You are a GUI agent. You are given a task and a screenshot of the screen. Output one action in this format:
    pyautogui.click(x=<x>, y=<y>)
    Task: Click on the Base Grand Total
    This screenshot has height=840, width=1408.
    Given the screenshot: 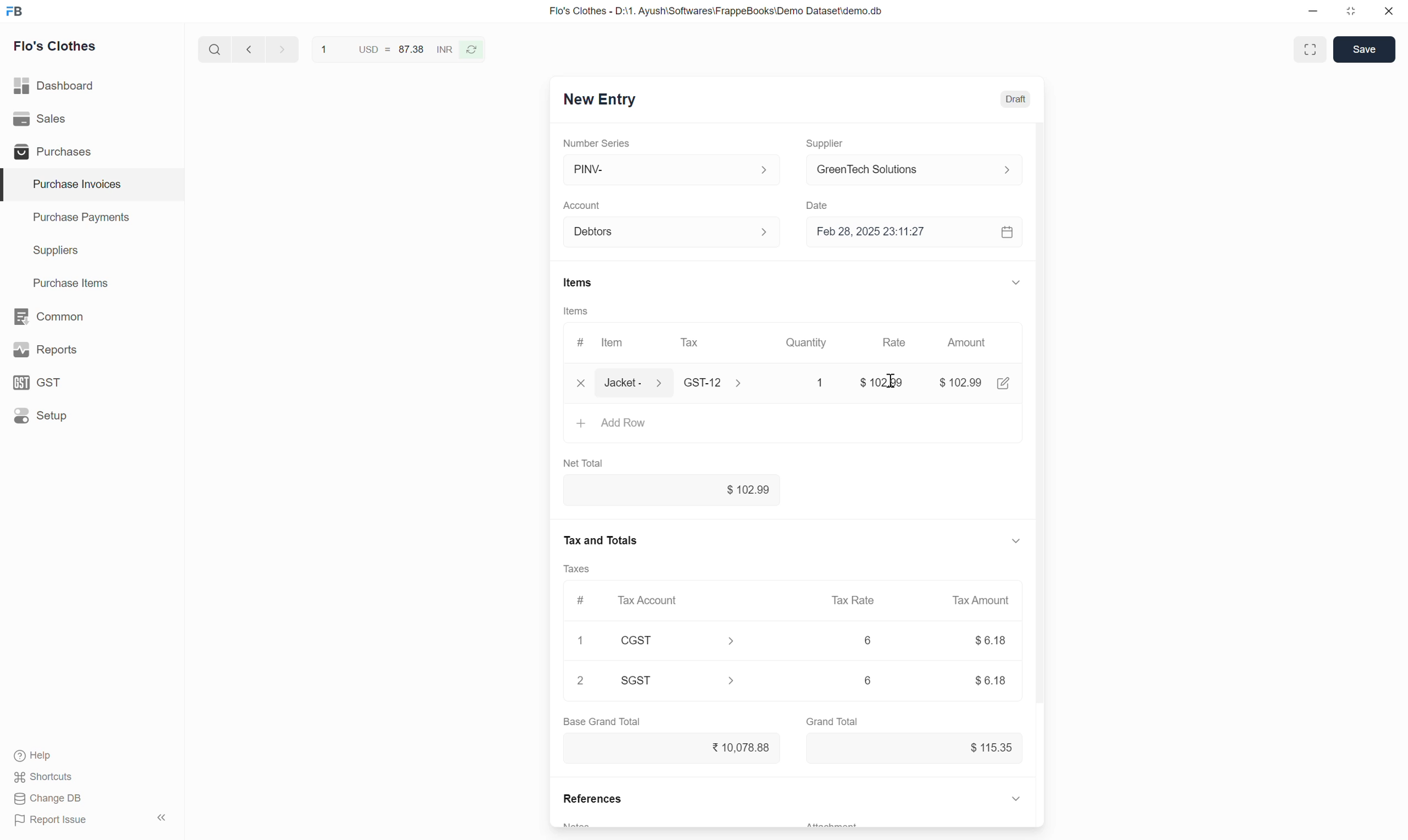 What is the action you would take?
    pyautogui.click(x=602, y=722)
    